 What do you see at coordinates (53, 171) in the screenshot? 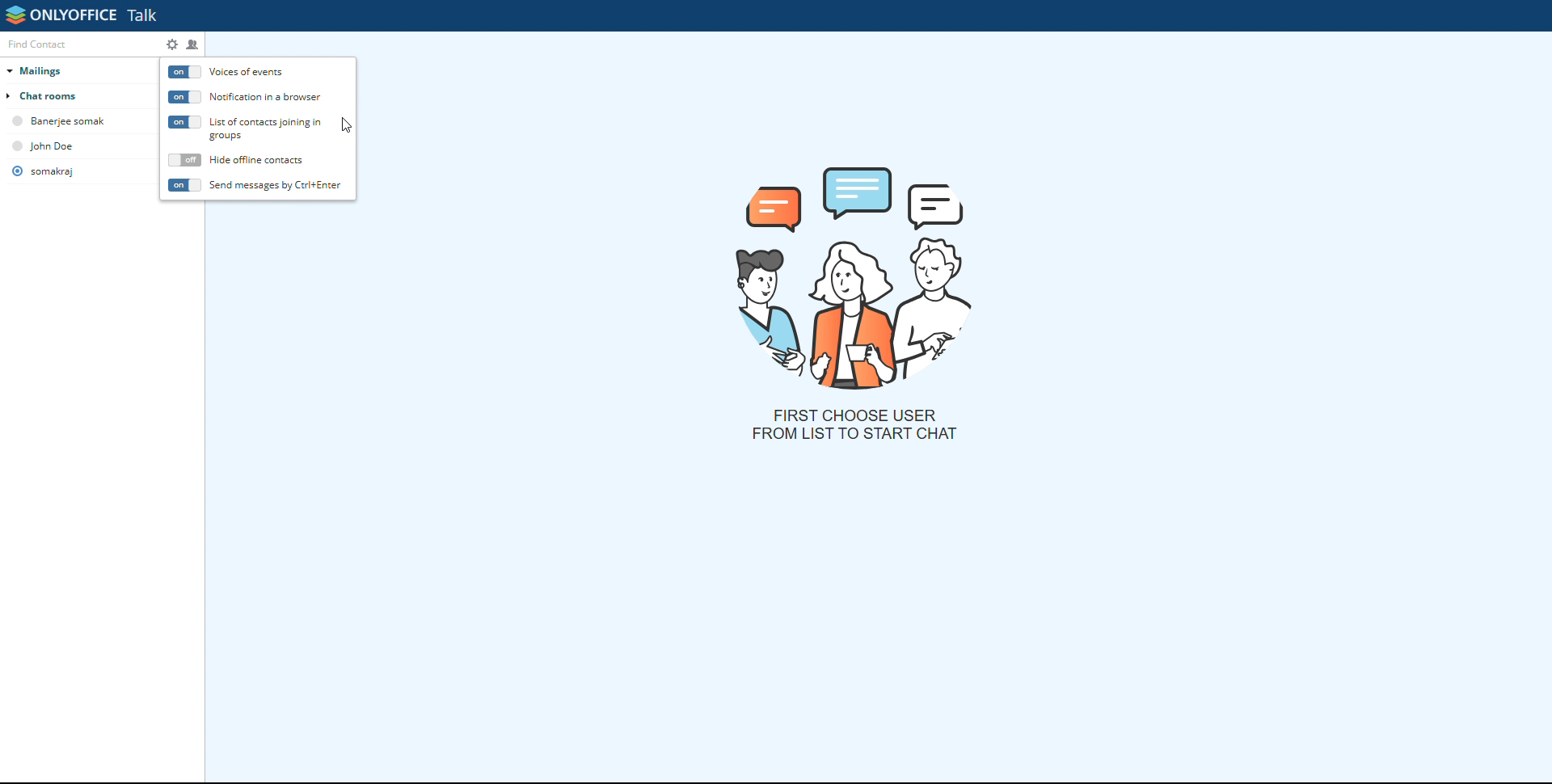
I see `somarkaj` at bounding box center [53, 171].